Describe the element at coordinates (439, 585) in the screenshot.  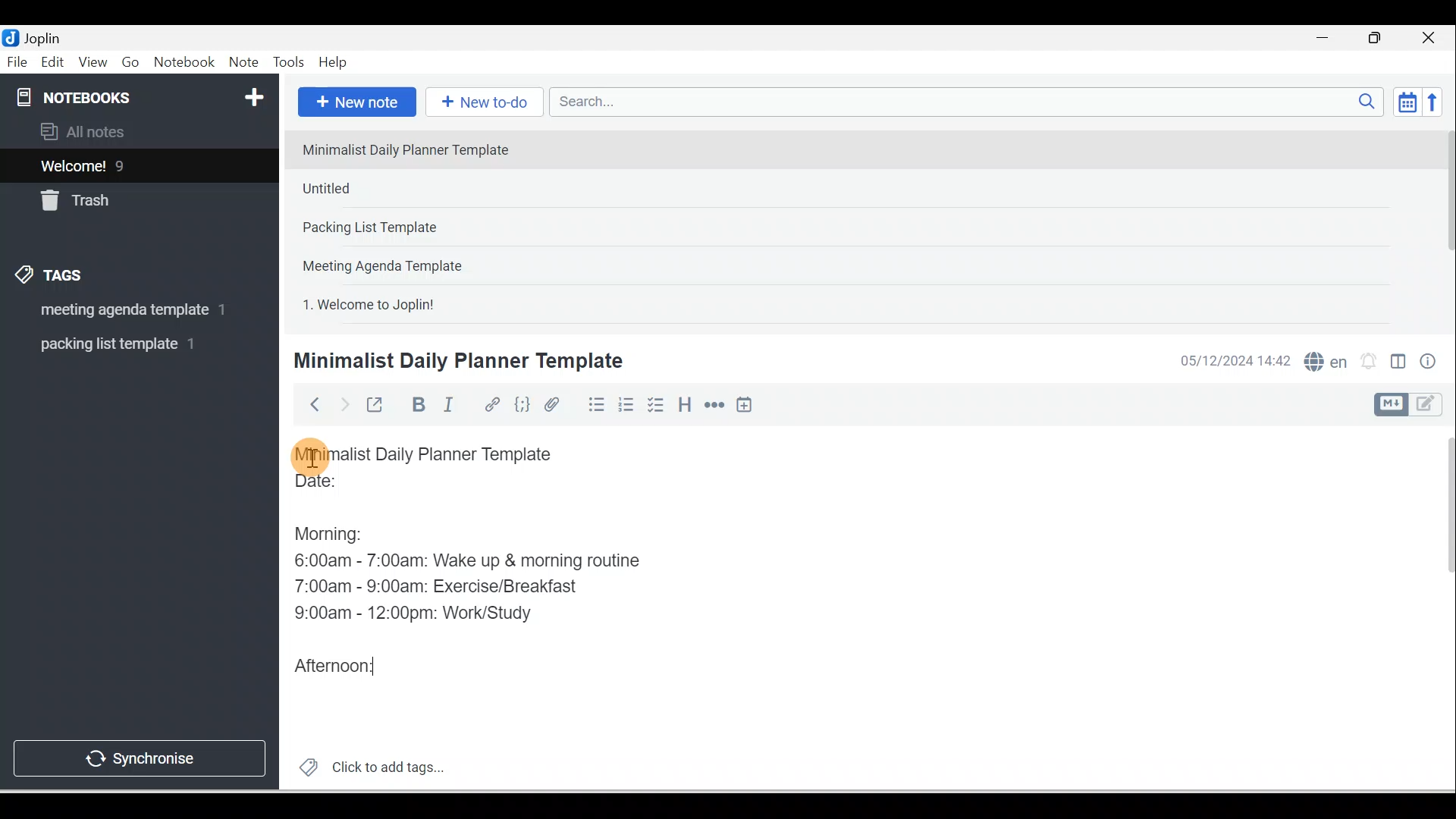
I see `7:00am - 9:00am: Exercise/Breakfast` at that location.